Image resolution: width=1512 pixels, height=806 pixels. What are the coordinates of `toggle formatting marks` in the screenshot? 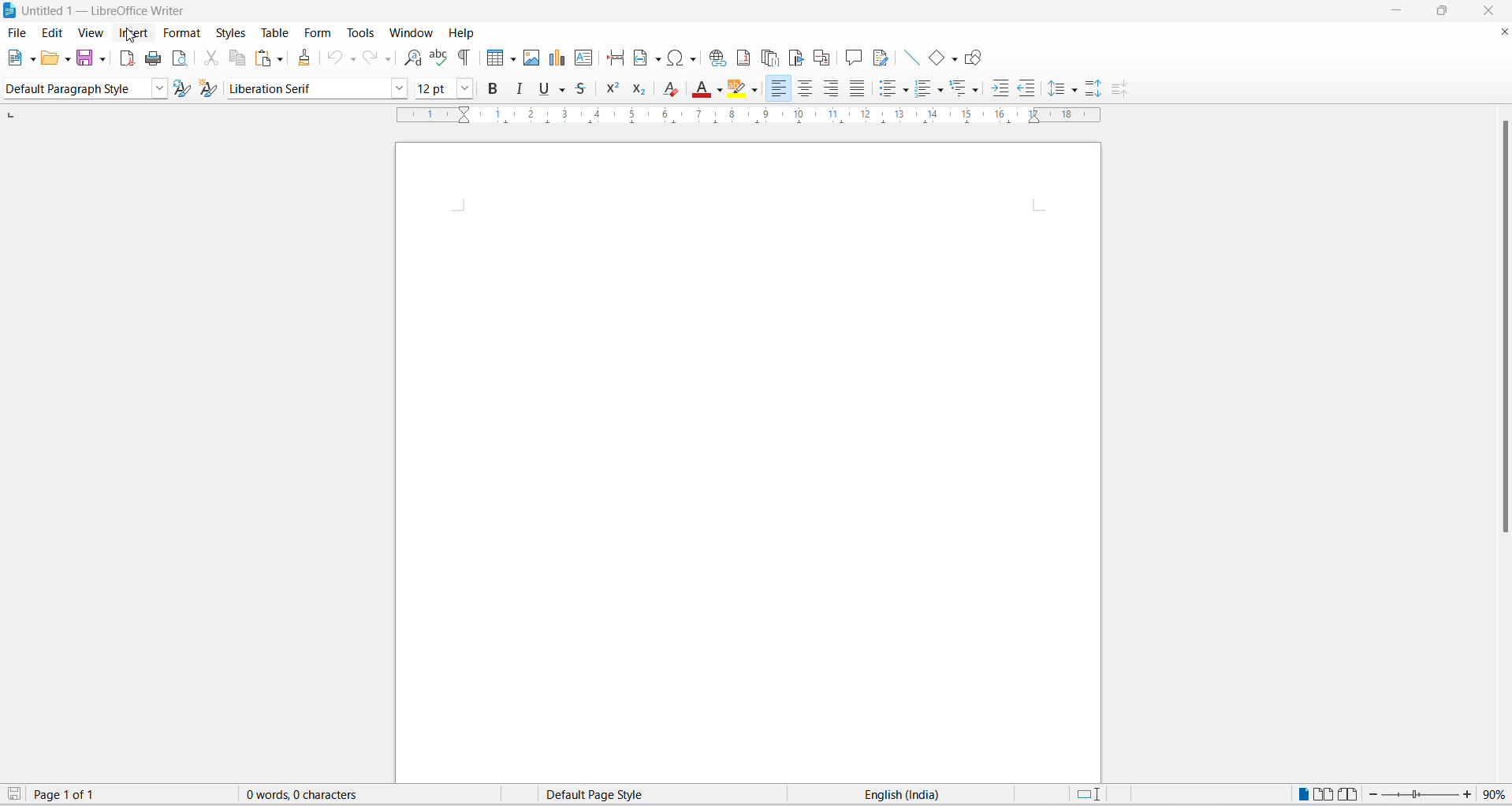 It's located at (465, 57).